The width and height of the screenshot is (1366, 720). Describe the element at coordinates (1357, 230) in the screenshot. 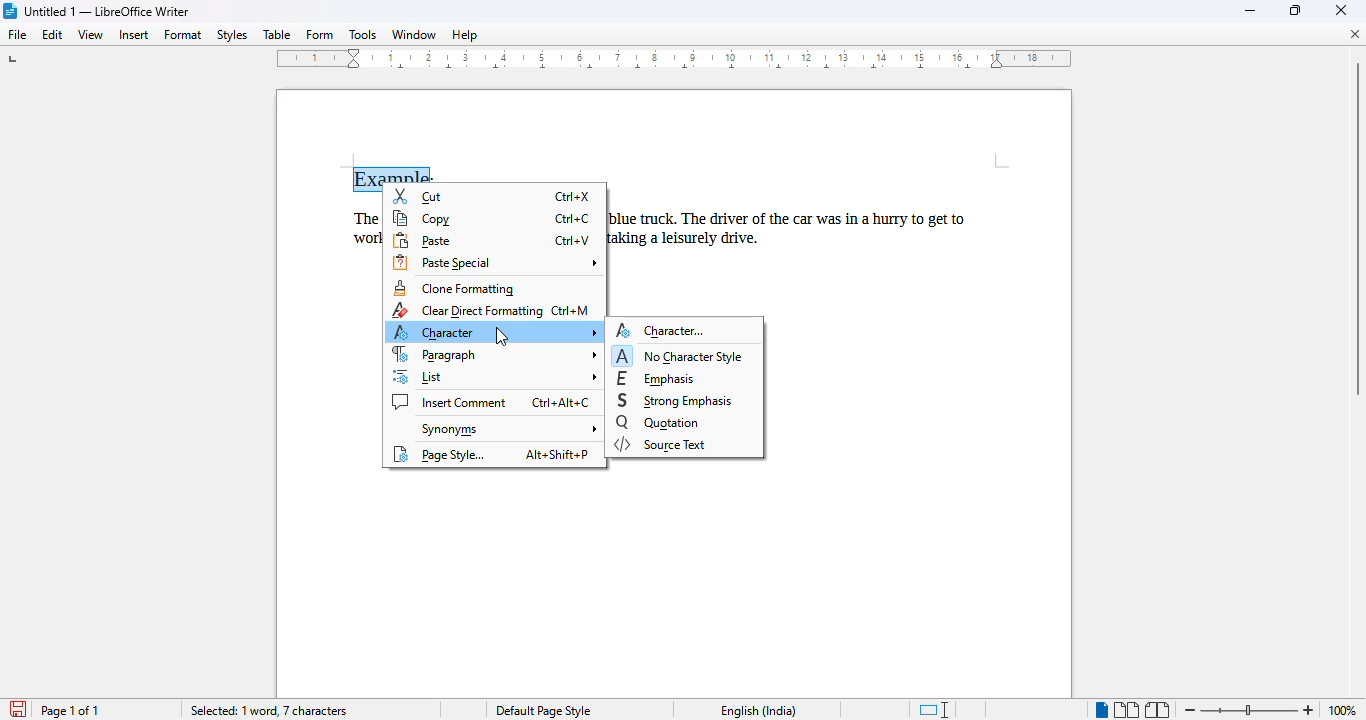

I see `Vertical scroll bar` at that location.